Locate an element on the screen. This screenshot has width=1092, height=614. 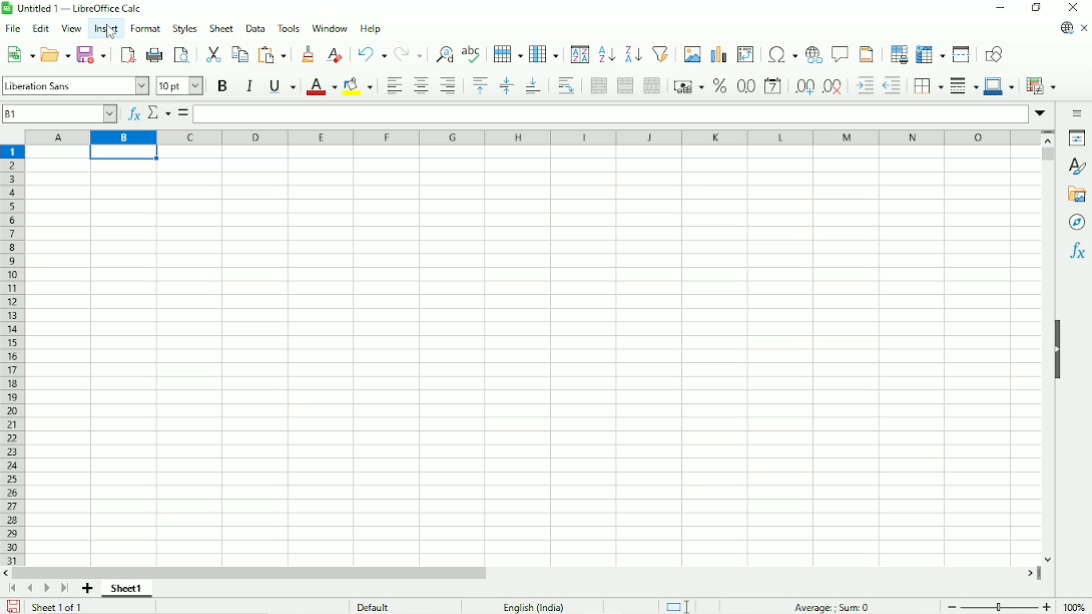
Delete decimal place is located at coordinates (833, 86).